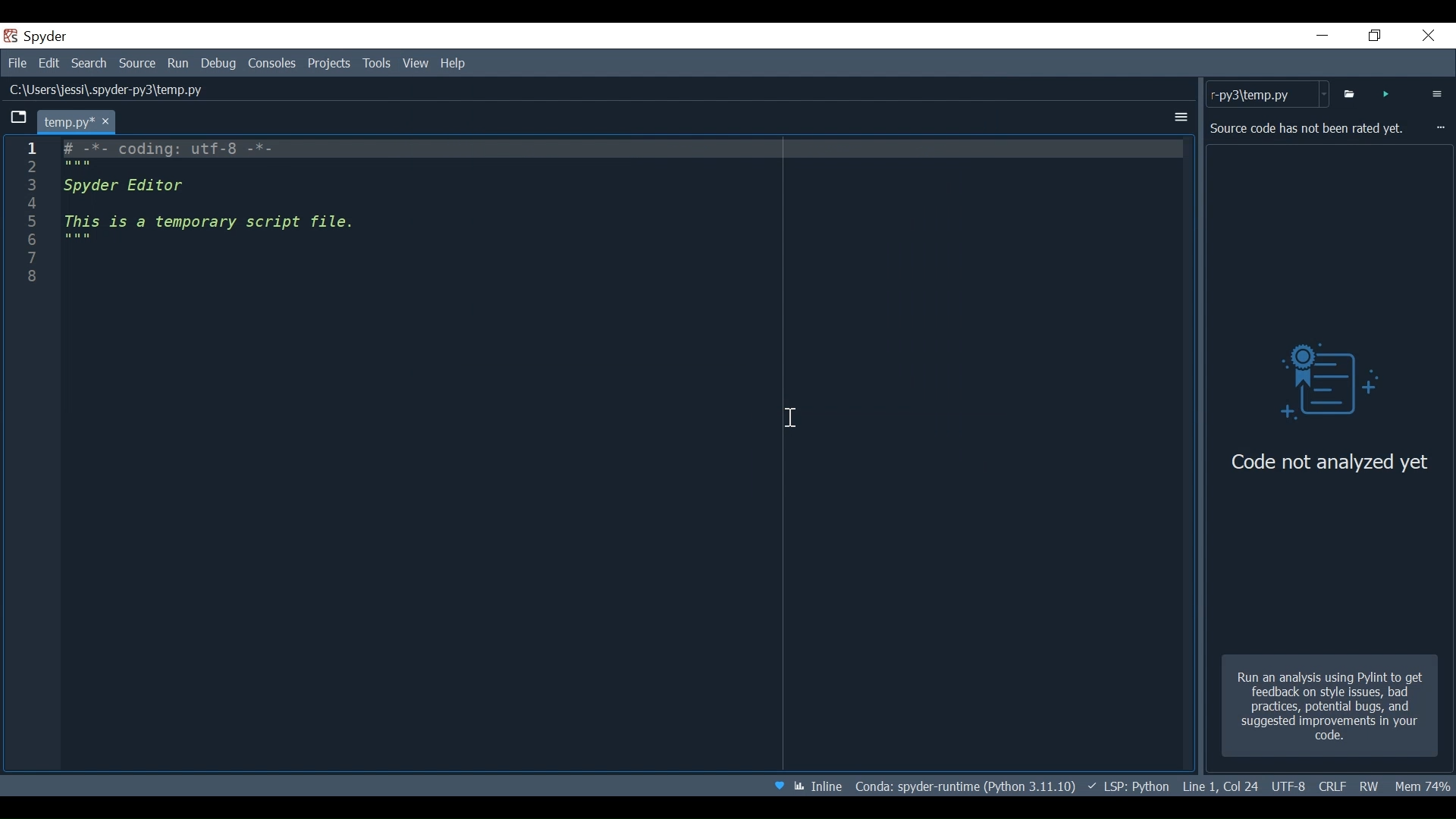 Image resolution: width=1456 pixels, height=819 pixels. What do you see at coordinates (274, 64) in the screenshot?
I see `Consoles` at bounding box center [274, 64].